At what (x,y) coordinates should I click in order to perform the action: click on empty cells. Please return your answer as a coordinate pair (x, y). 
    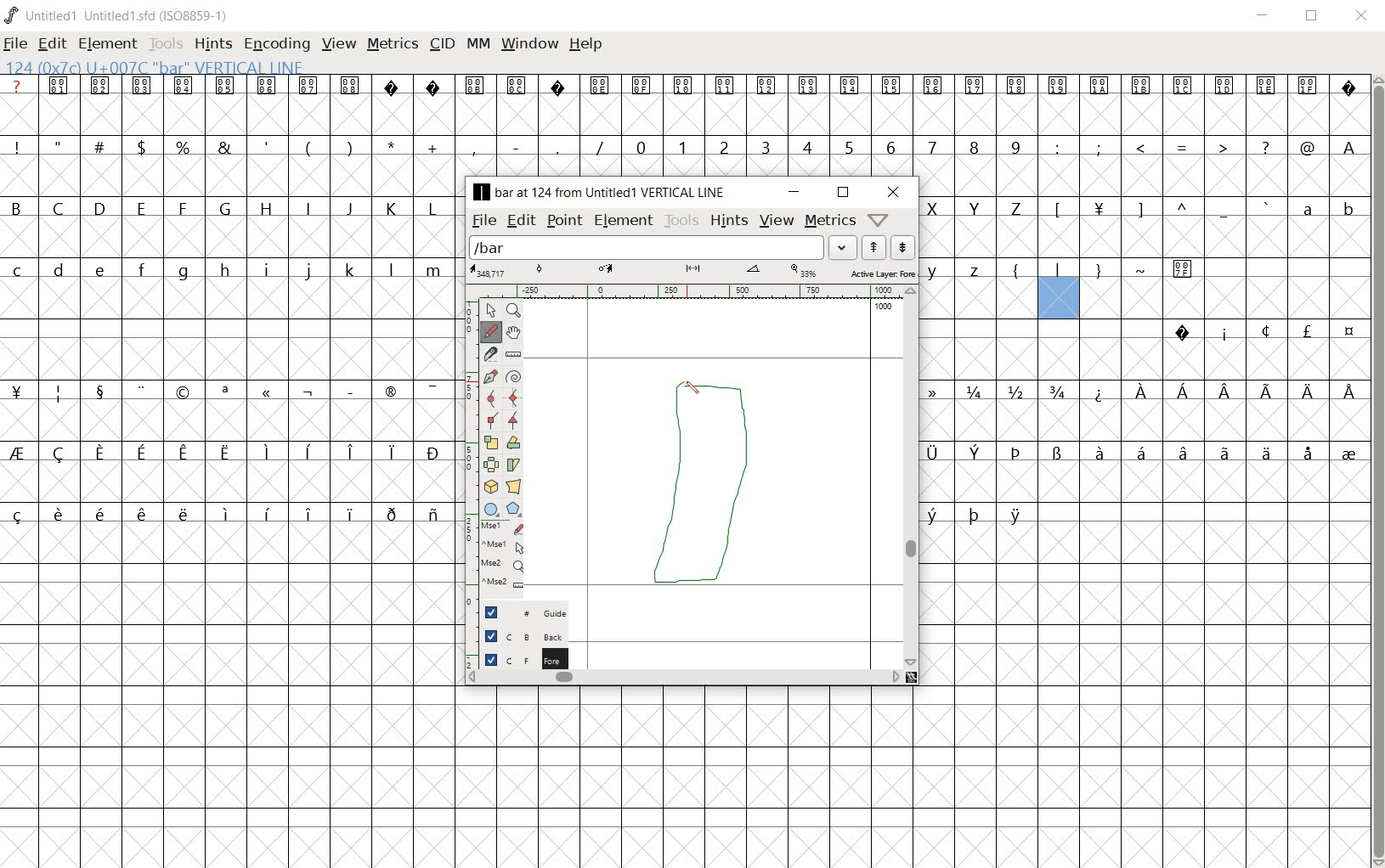
    Looking at the image, I should click on (1147, 300).